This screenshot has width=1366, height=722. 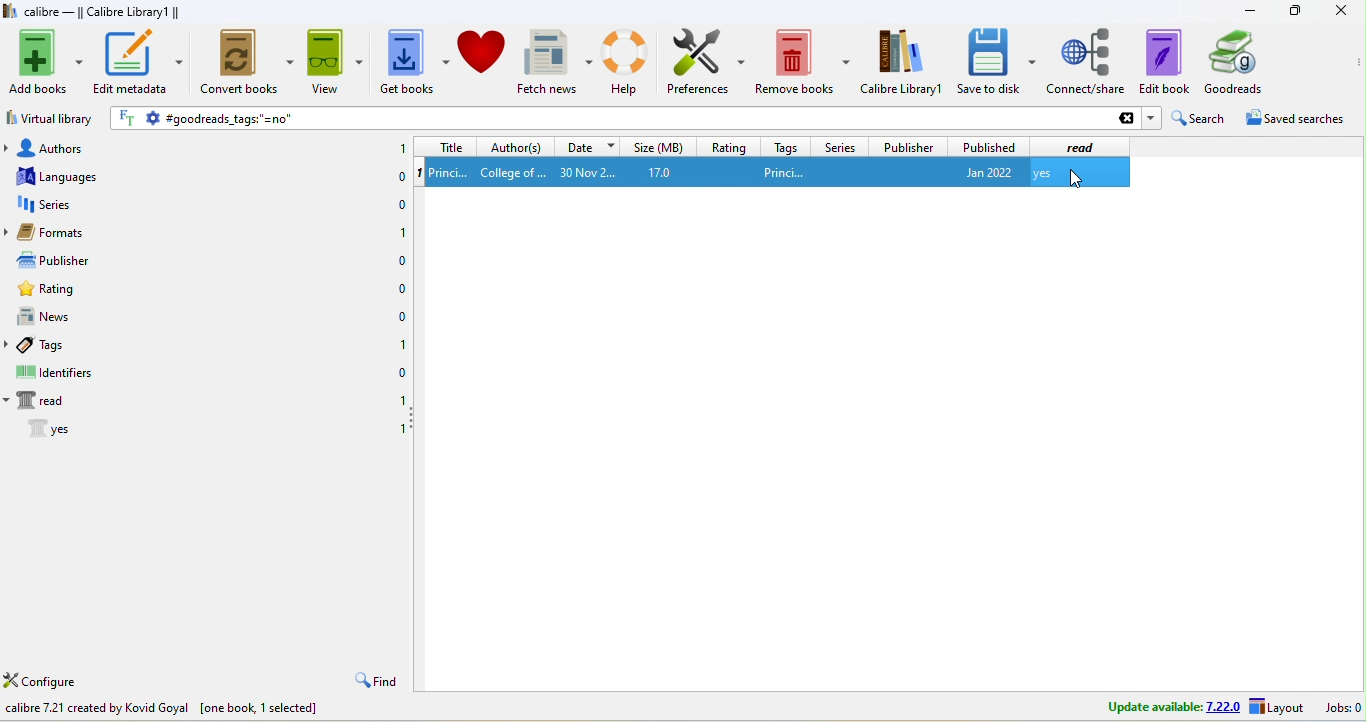 What do you see at coordinates (57, 373) in the screenshot?
I see `identifiers` at bounding box center [57, 373].